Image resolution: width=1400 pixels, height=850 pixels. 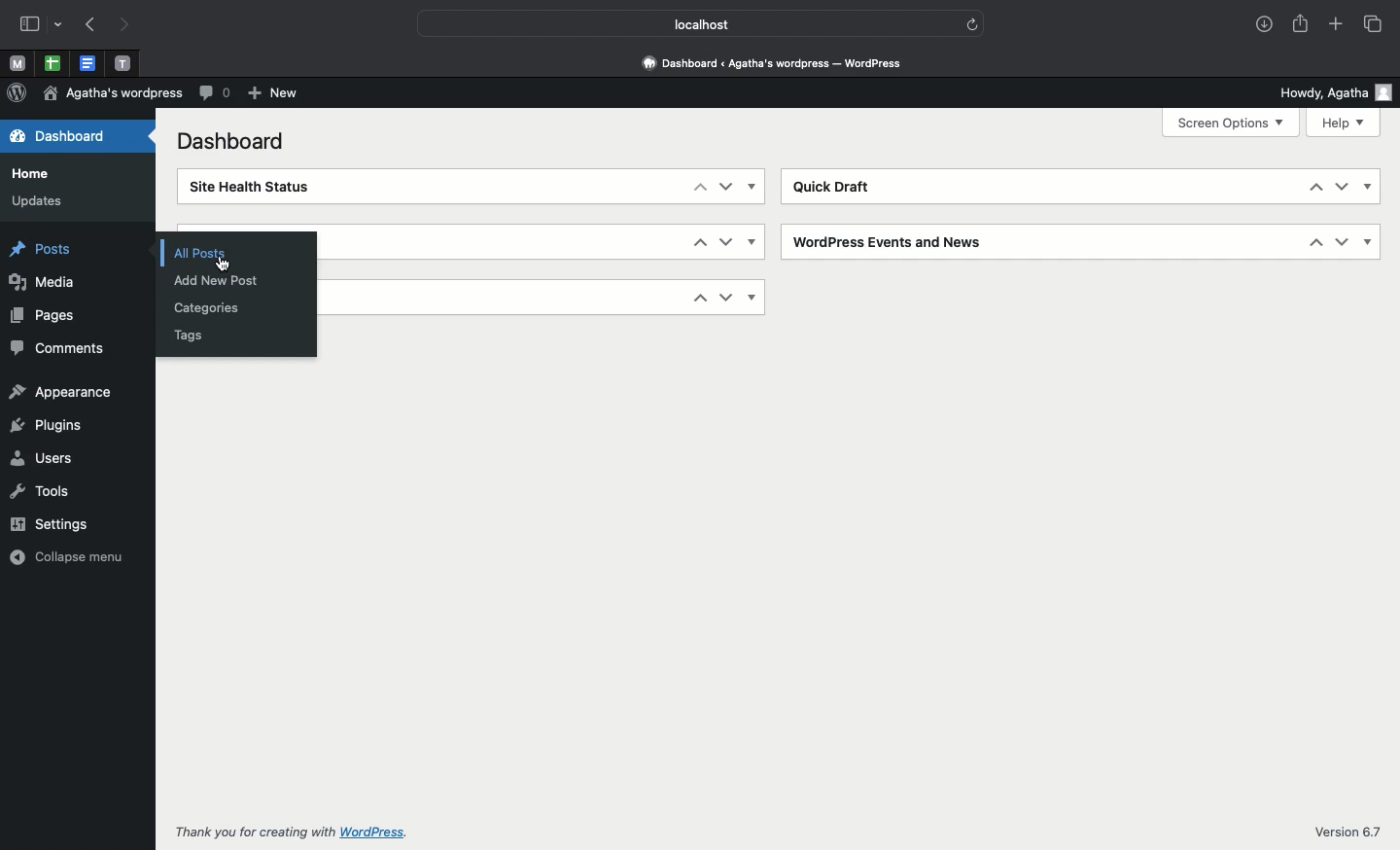 I want to click on Collapse menu, so click(x=62, y=556).